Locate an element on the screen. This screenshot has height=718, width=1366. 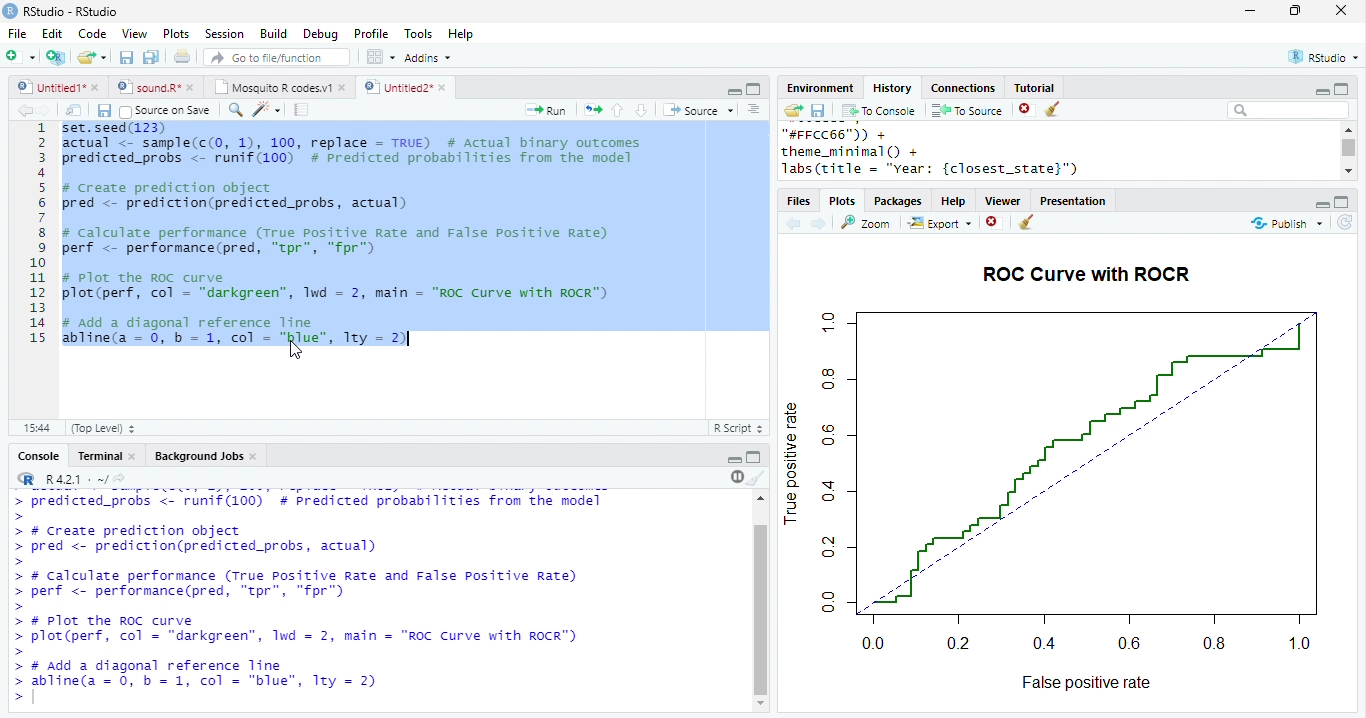
new file is located at coordinates (20, 56).